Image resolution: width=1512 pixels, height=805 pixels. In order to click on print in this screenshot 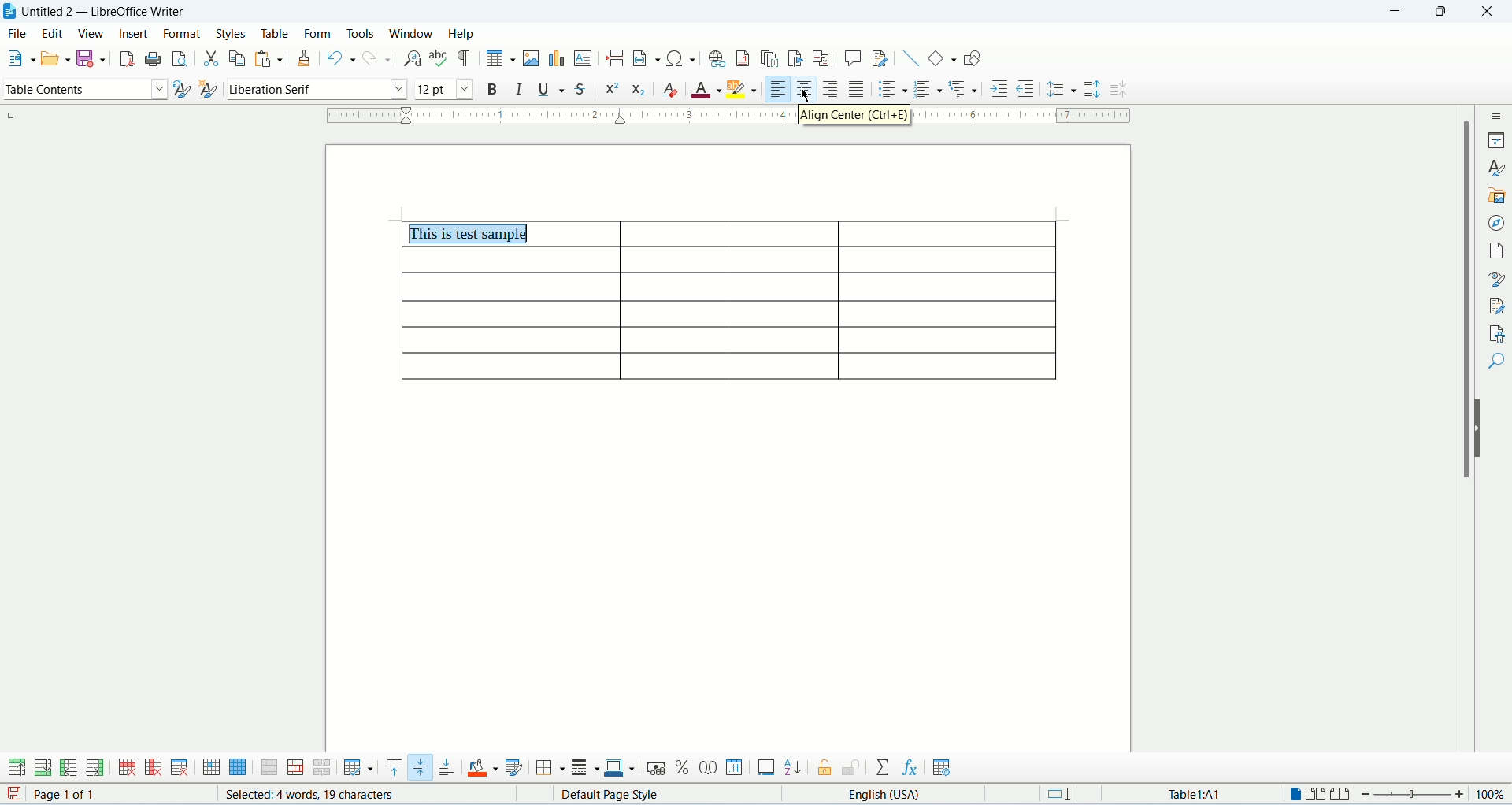, I will do `click(154, 59)`.